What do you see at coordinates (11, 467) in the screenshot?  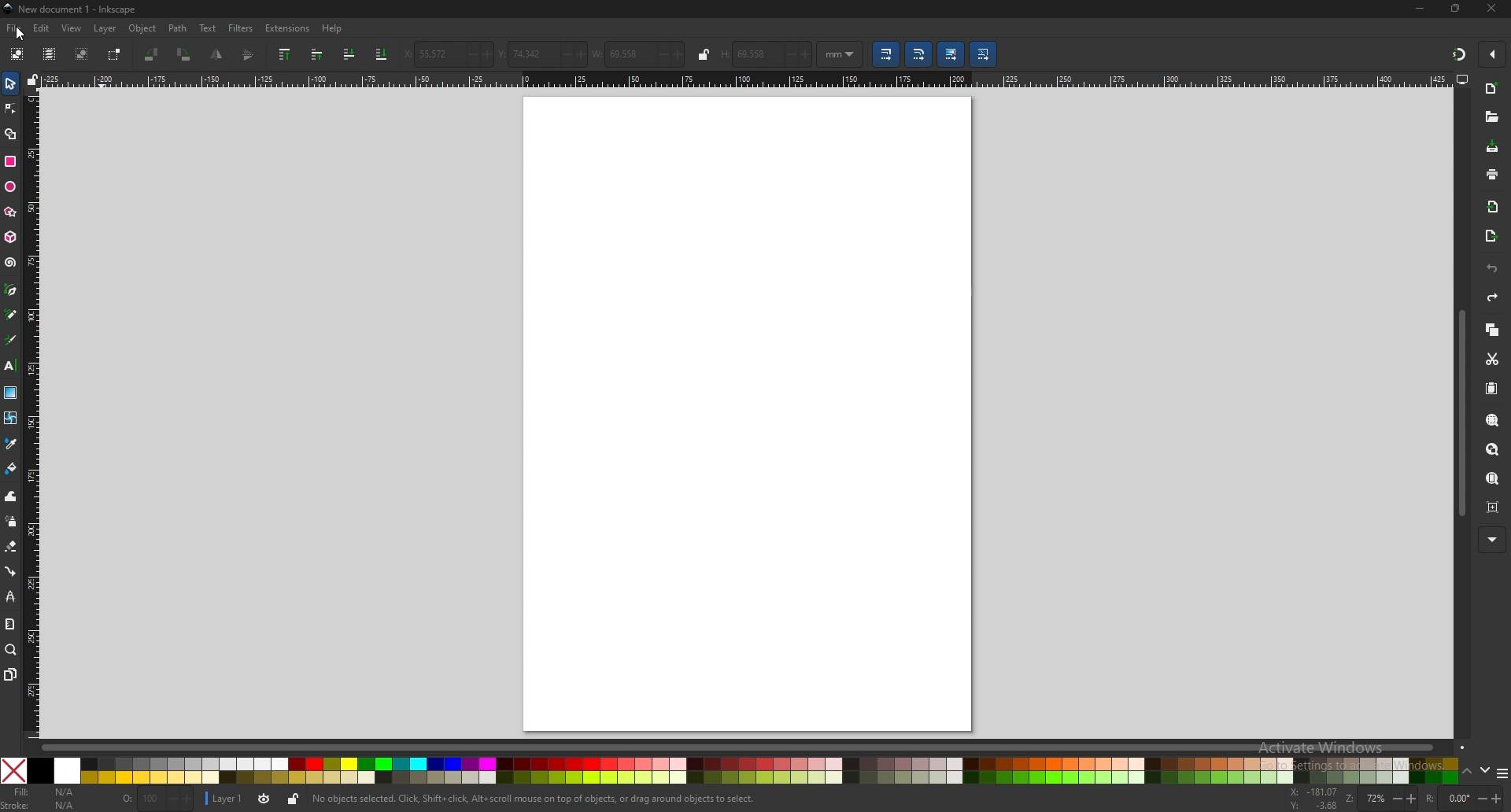 I see `paint bucket` at bounding box center [11, 467].